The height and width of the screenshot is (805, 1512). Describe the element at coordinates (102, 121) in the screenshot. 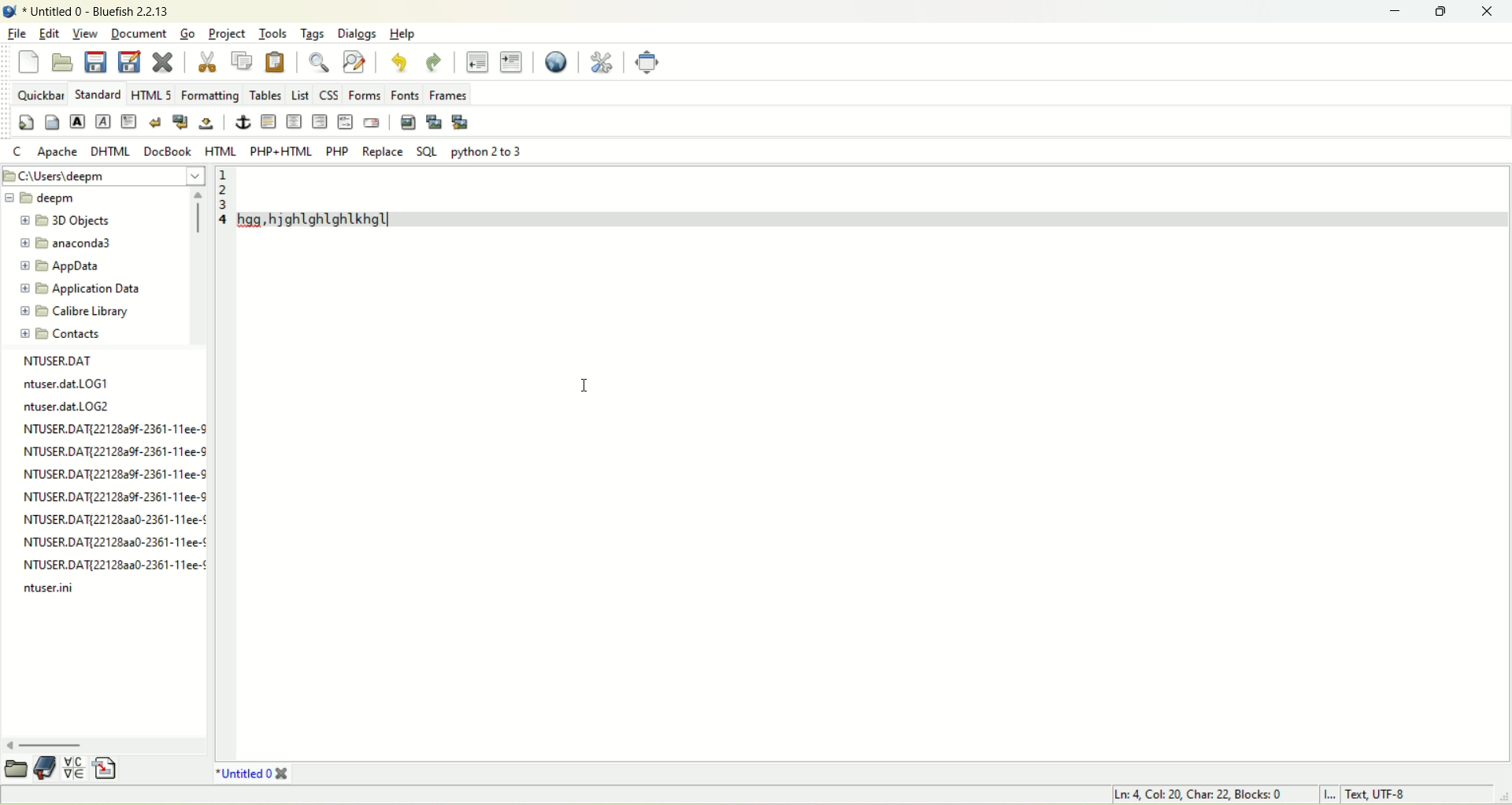

I see `emphasis` at that location.